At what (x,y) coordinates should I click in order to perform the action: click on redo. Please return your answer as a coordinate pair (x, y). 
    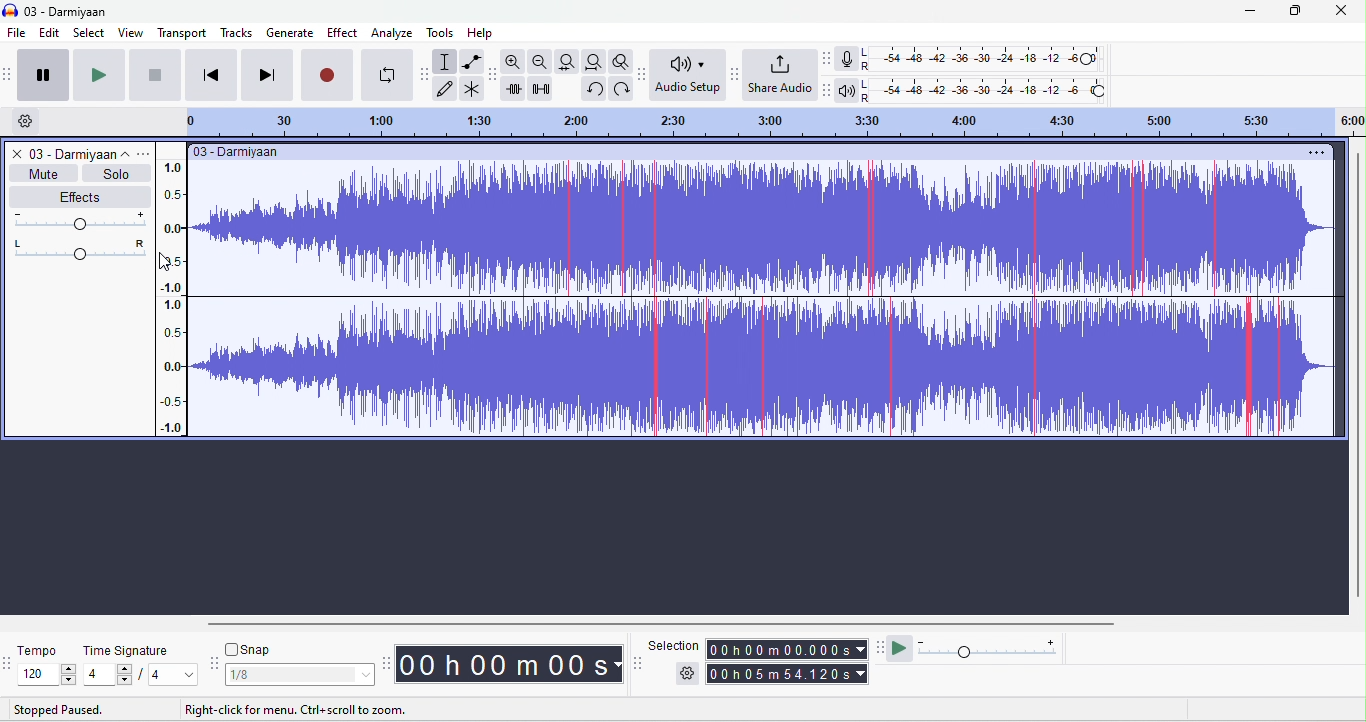
    Looking at the image, I should click on (593, 89).